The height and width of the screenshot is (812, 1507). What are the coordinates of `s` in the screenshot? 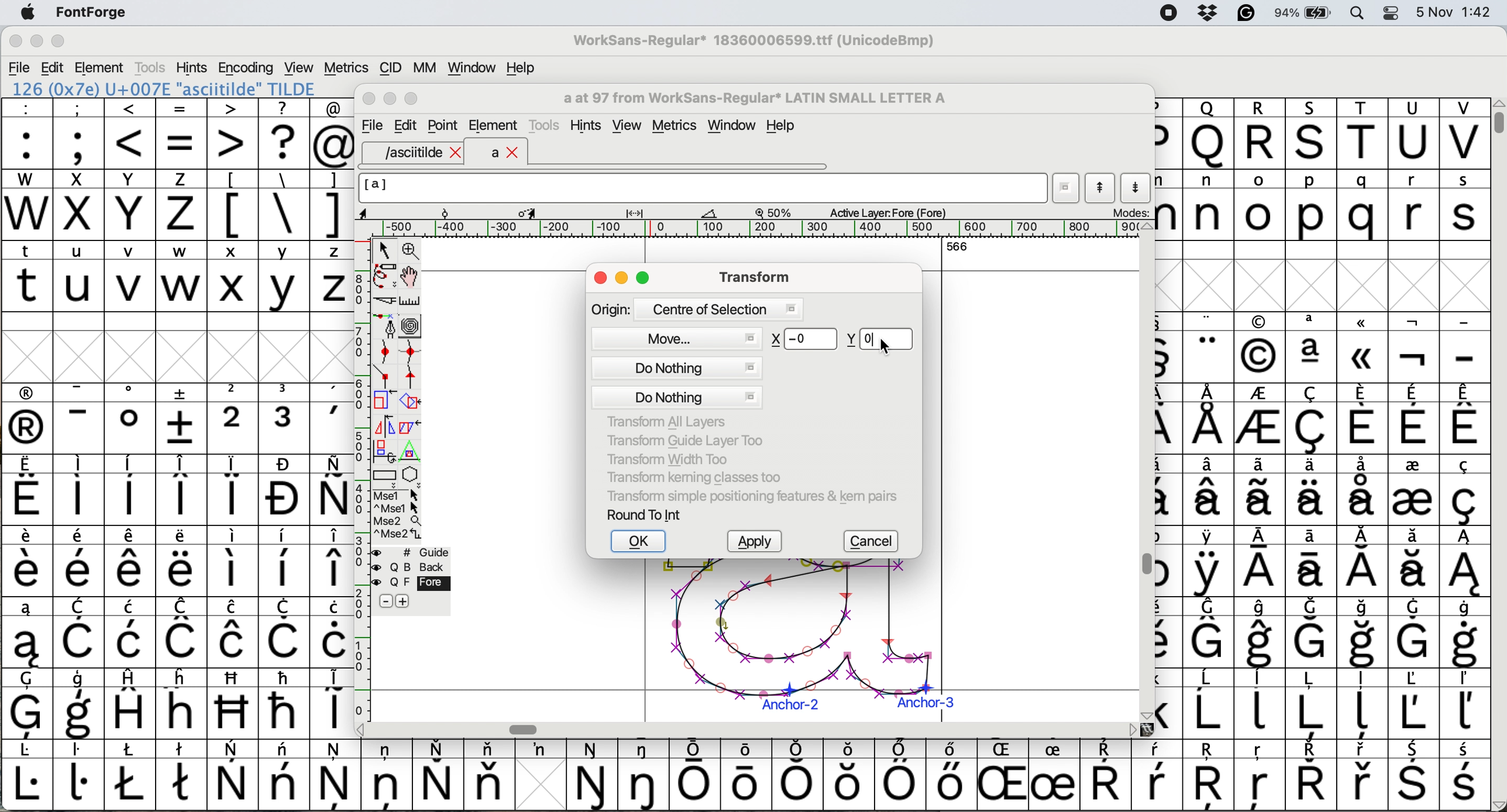 It's located at (1465, 205).